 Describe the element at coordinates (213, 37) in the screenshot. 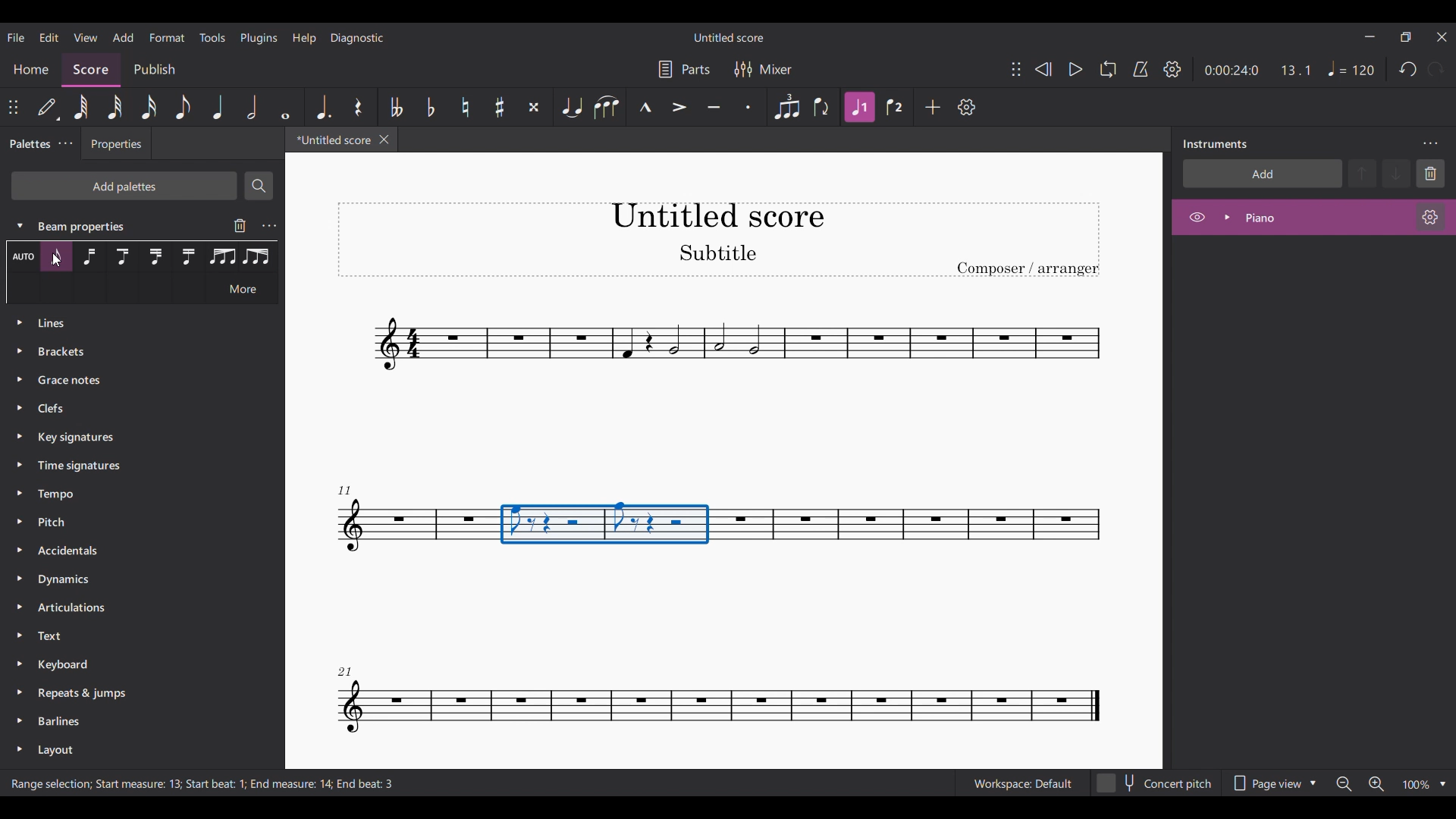

I see `Tools menu` at that location.